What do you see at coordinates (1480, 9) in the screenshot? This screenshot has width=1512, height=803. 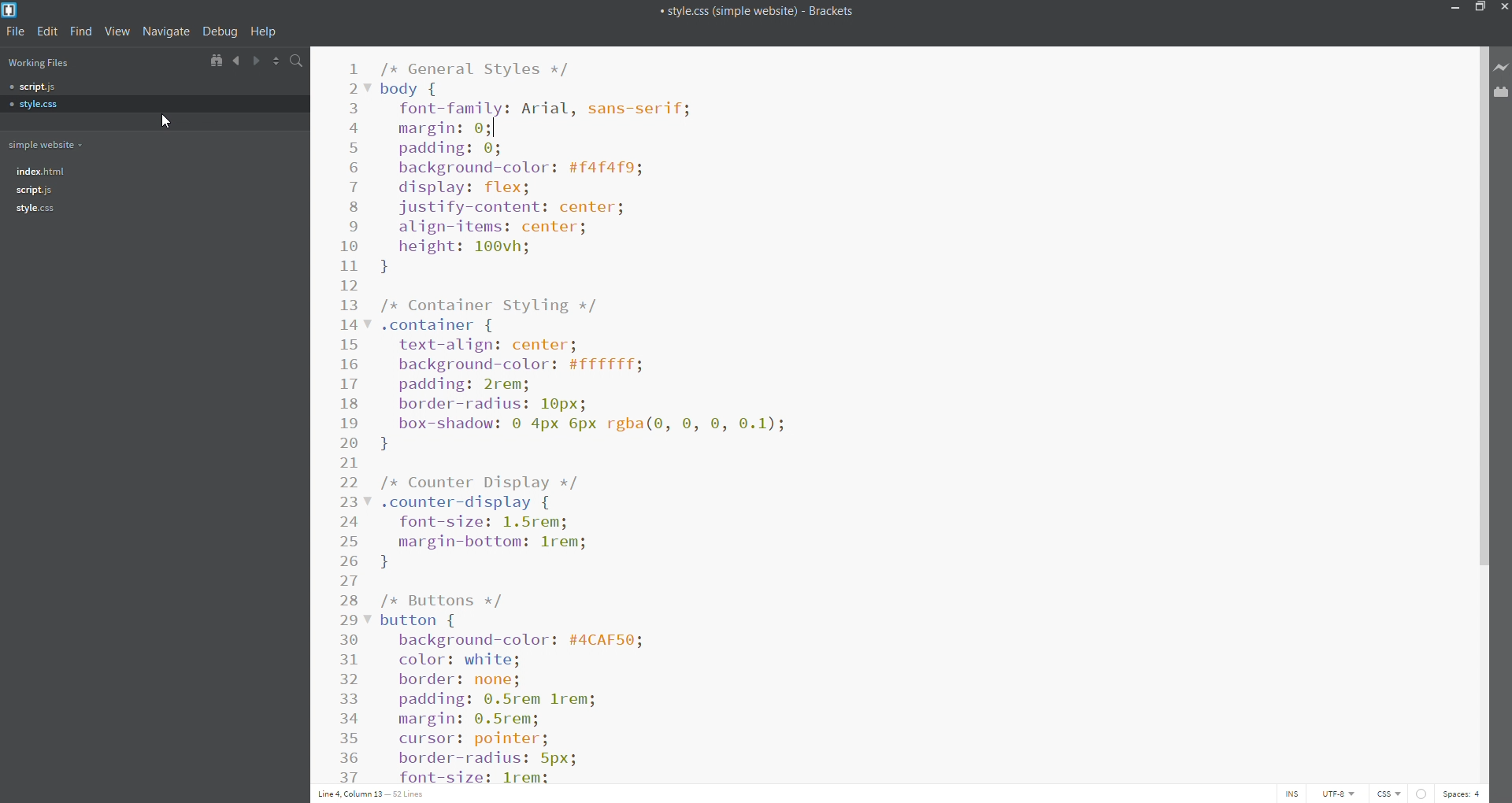 I see `maximize/restore` at bounding box center [1480, 9].